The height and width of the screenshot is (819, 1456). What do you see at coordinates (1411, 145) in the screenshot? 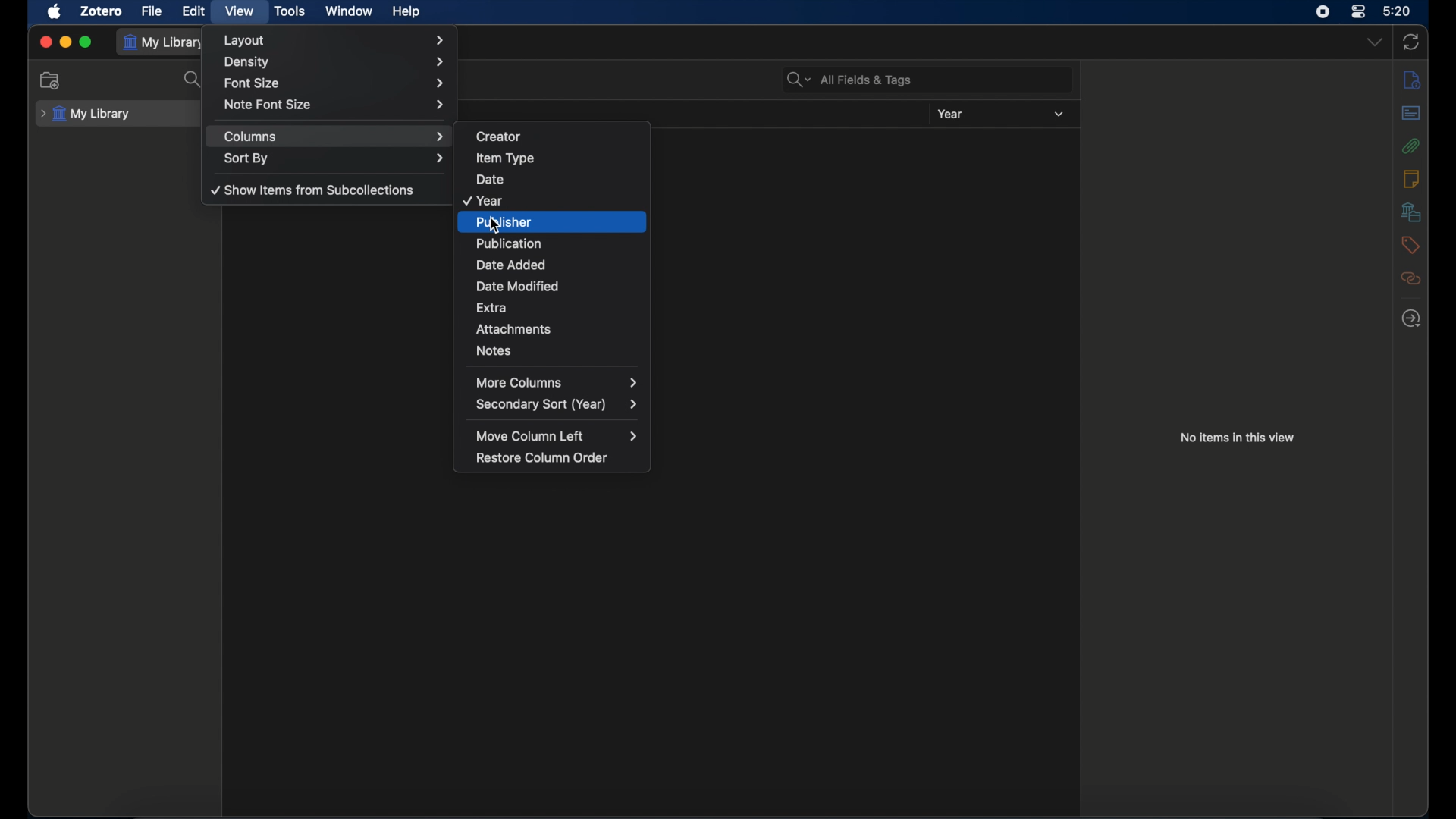
I see `attachments` at bounding box center [1411, 145].